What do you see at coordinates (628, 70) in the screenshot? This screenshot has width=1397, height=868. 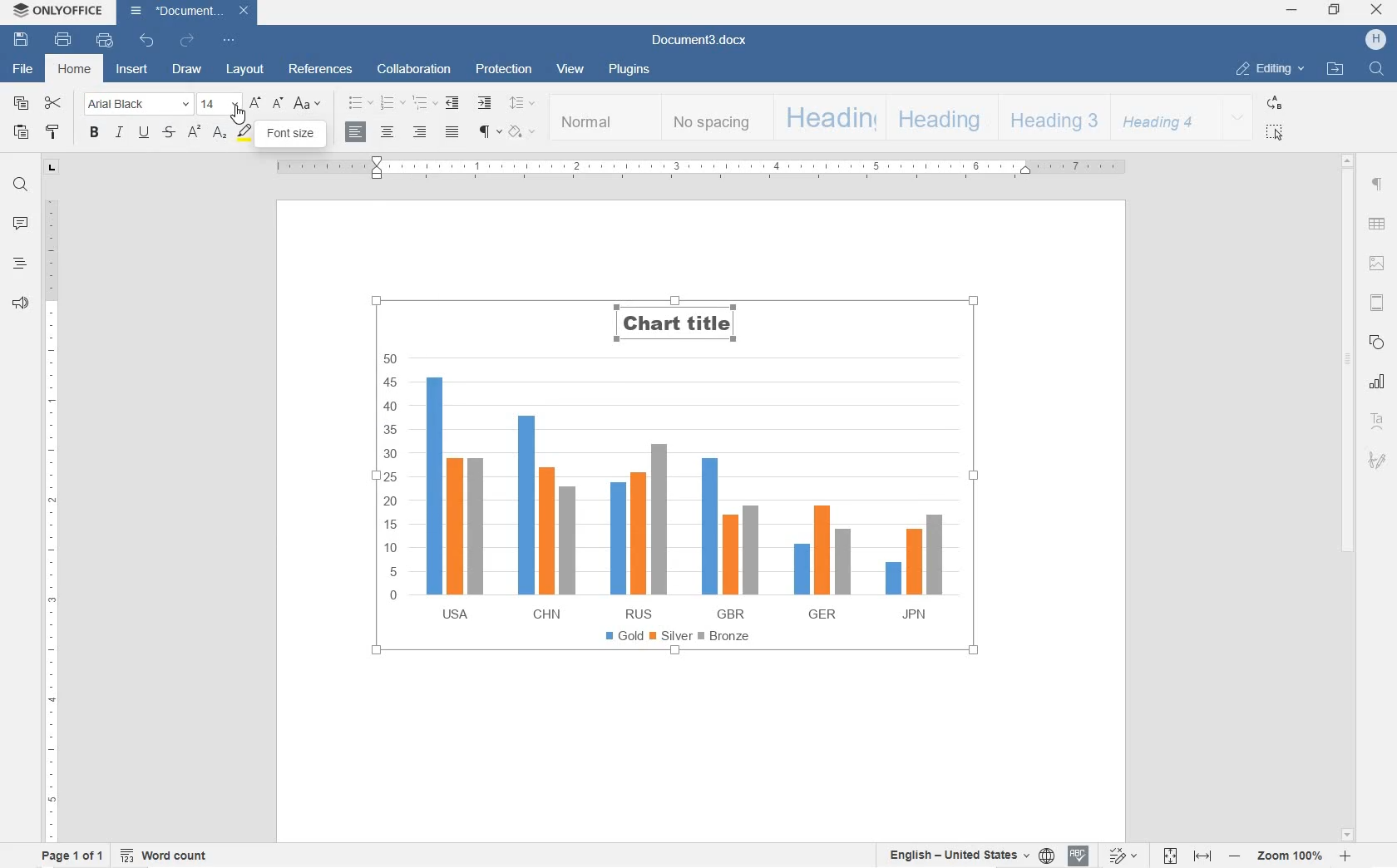 I see `PLUGINS` at bounding box center [628, 70].